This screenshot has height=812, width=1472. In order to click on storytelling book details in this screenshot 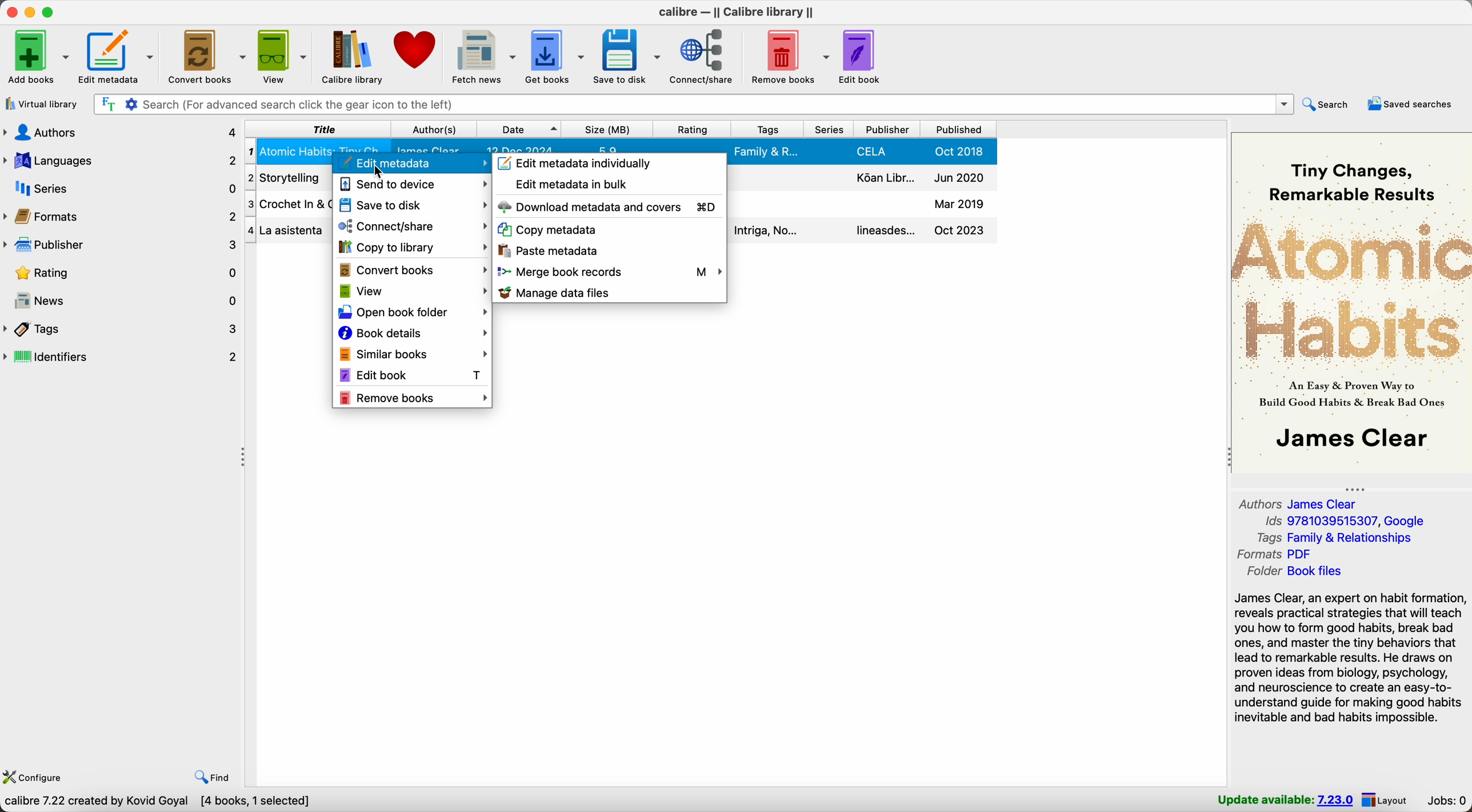, I will do `click(288, 178)`.